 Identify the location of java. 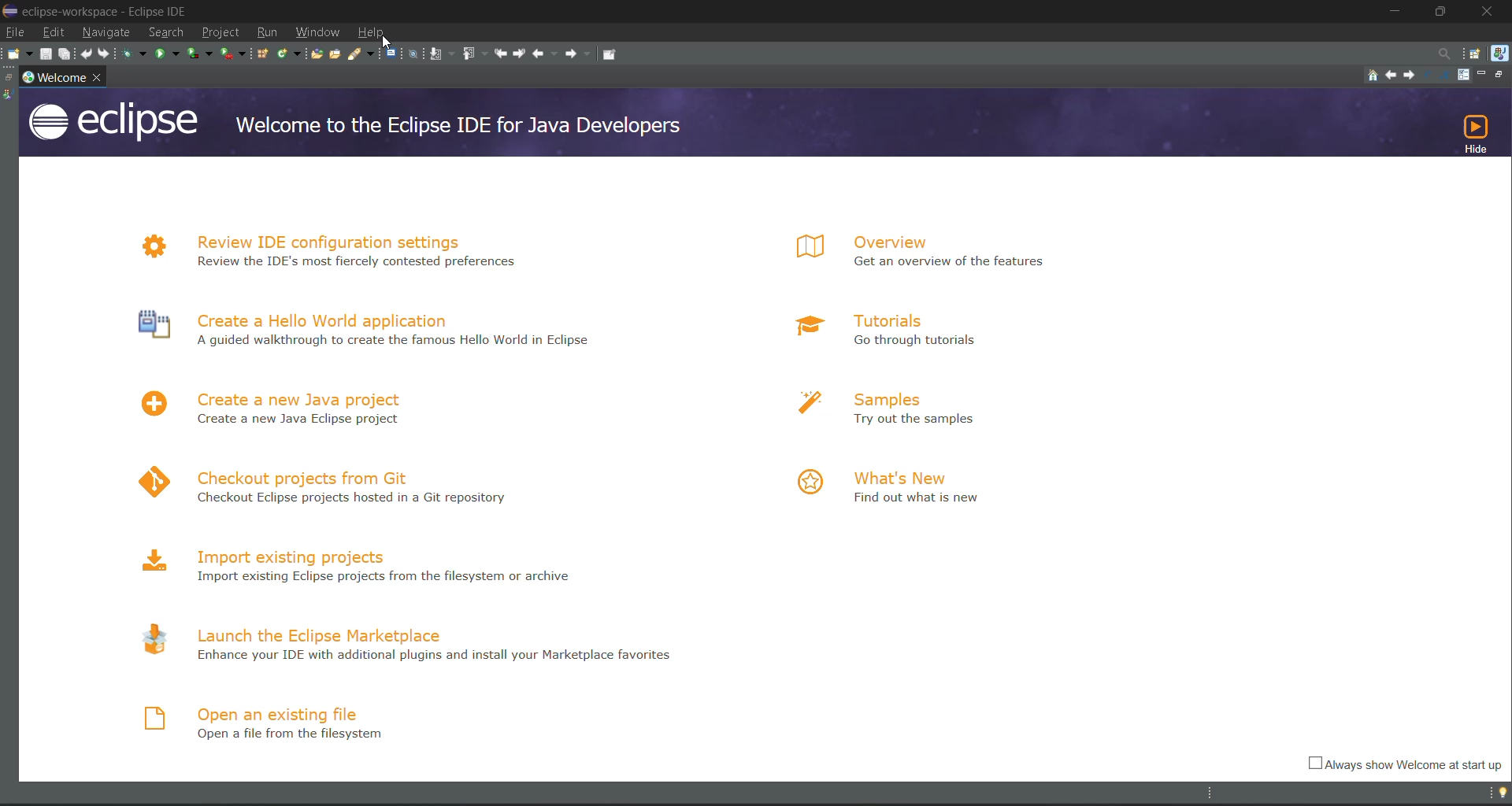
(9, 95).